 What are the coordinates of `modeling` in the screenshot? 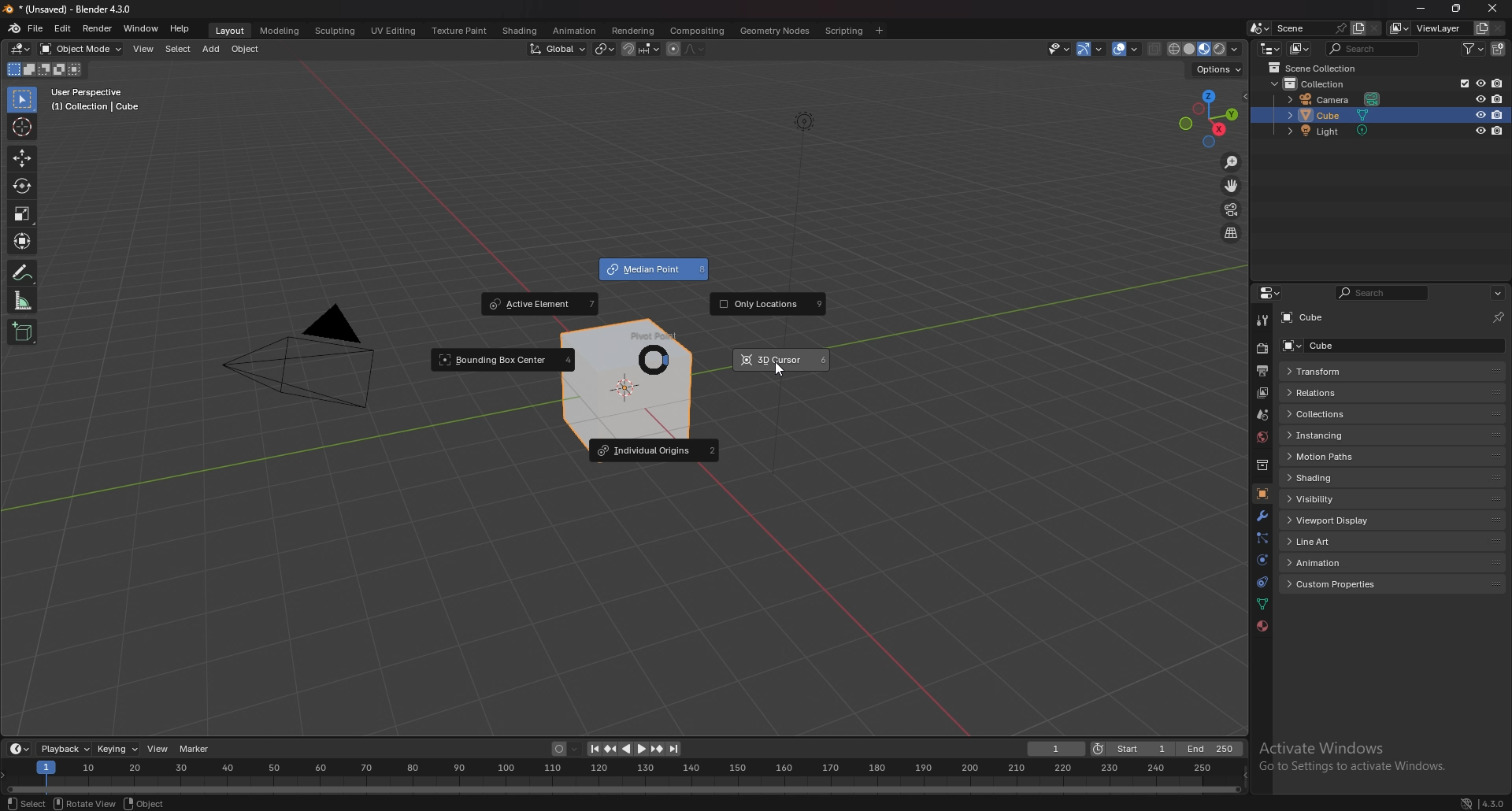 It's located at (280, 30).